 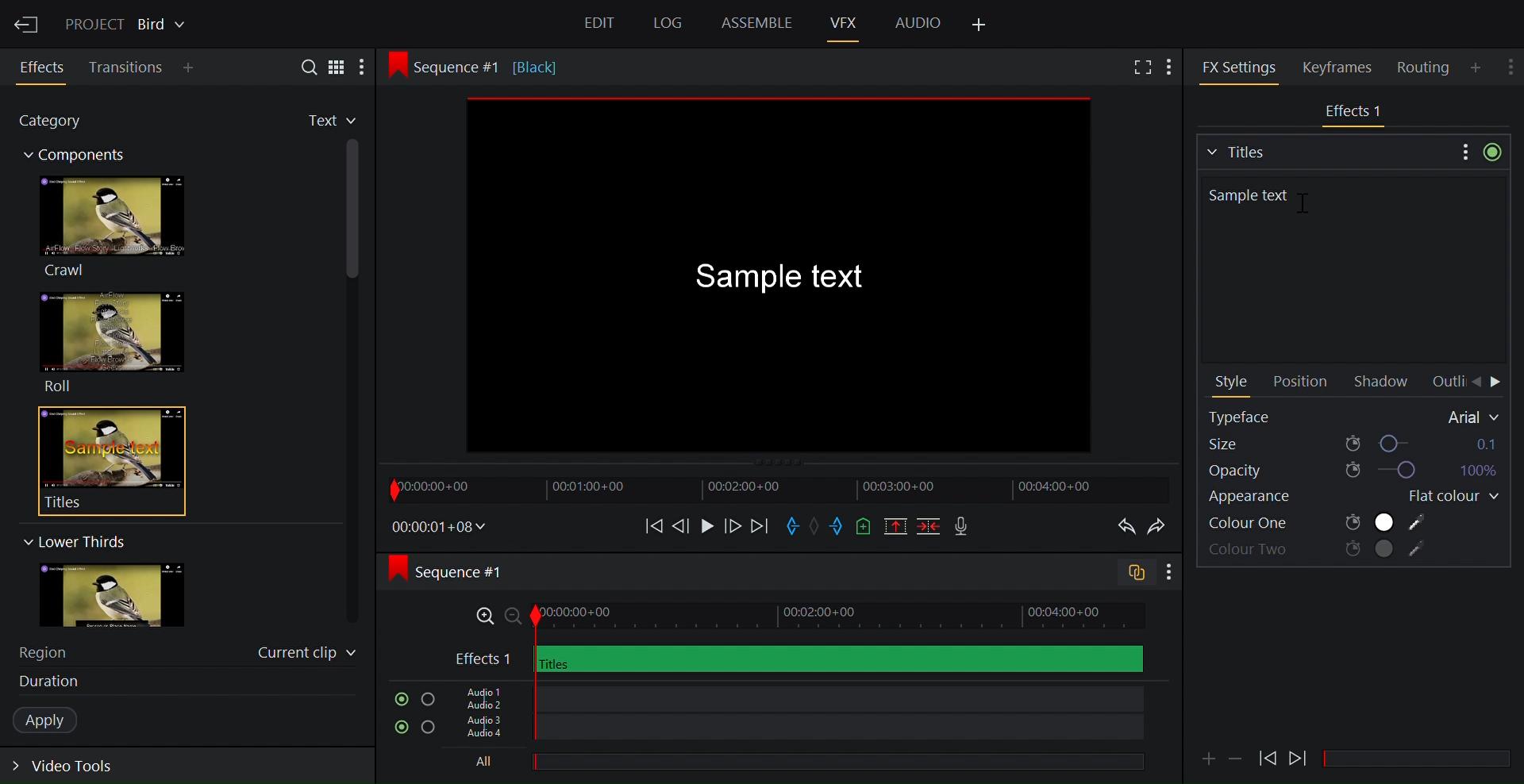 What do you see at coordinates (1140, 68) in the screenshot?
I see `Full screen` at bounding box center [1140, 68].